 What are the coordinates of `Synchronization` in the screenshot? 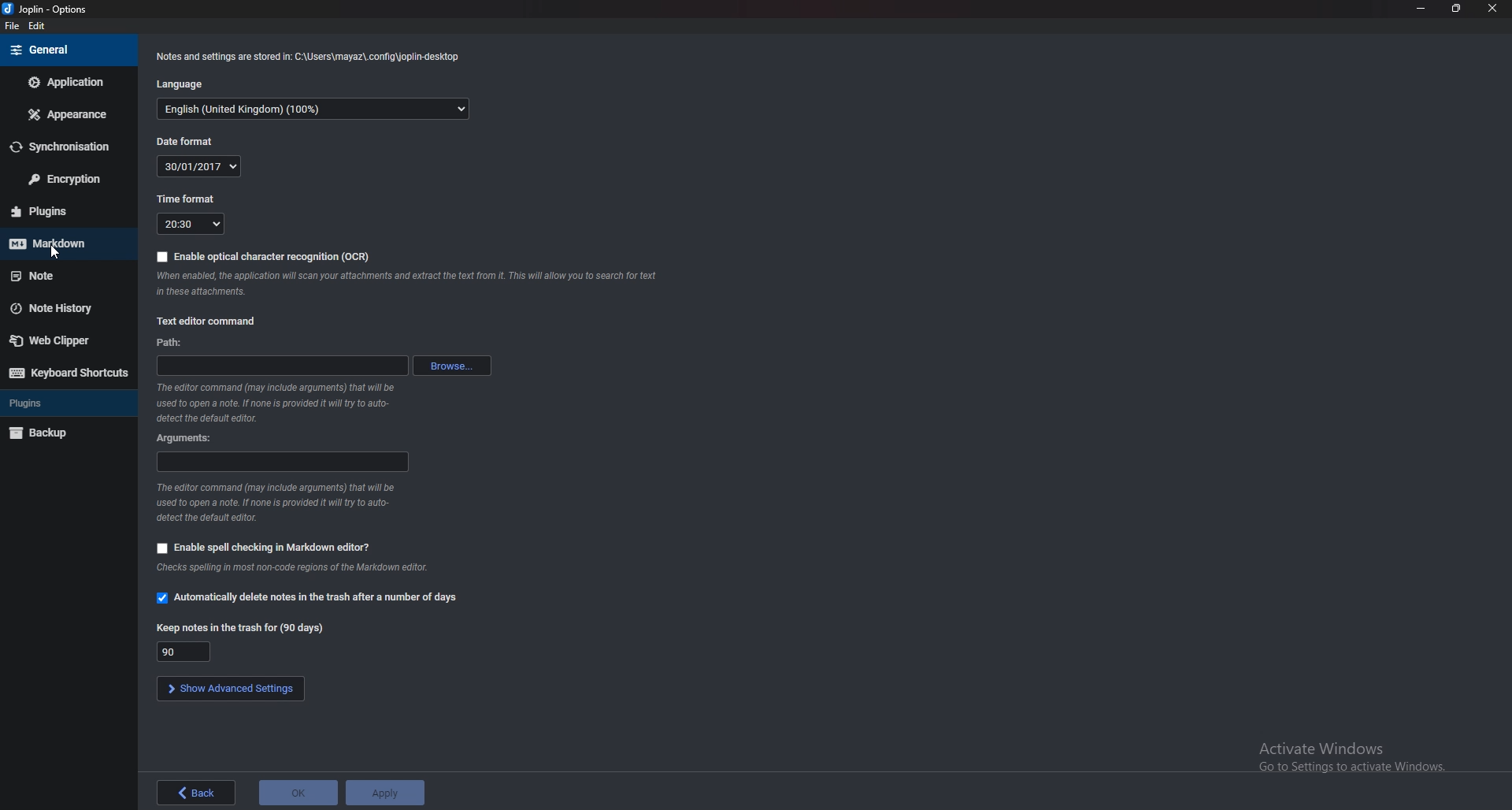 It's located at (66, 146).